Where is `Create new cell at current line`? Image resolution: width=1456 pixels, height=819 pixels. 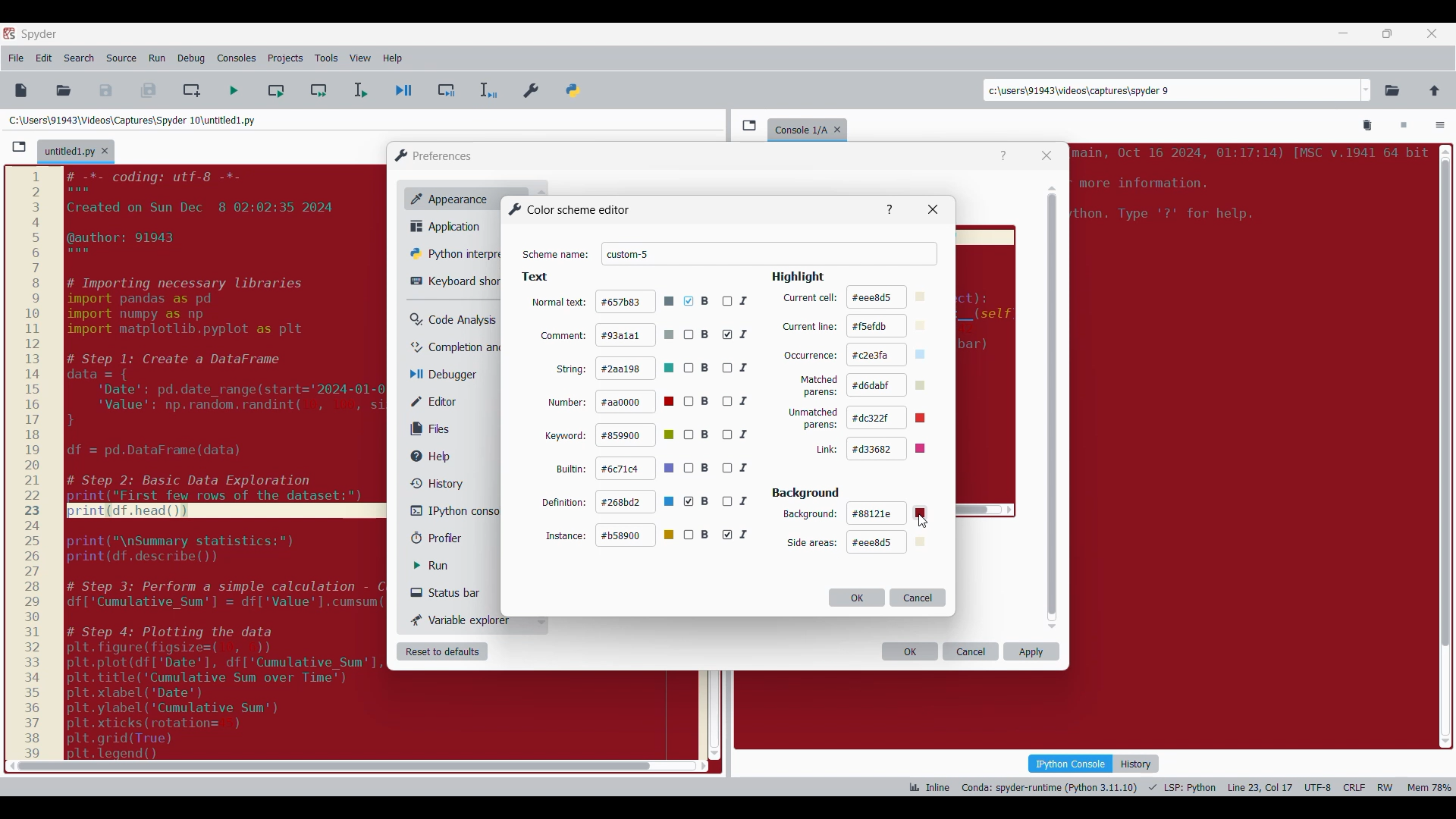
Create new cell at current line is located at coordinates (192, 90).